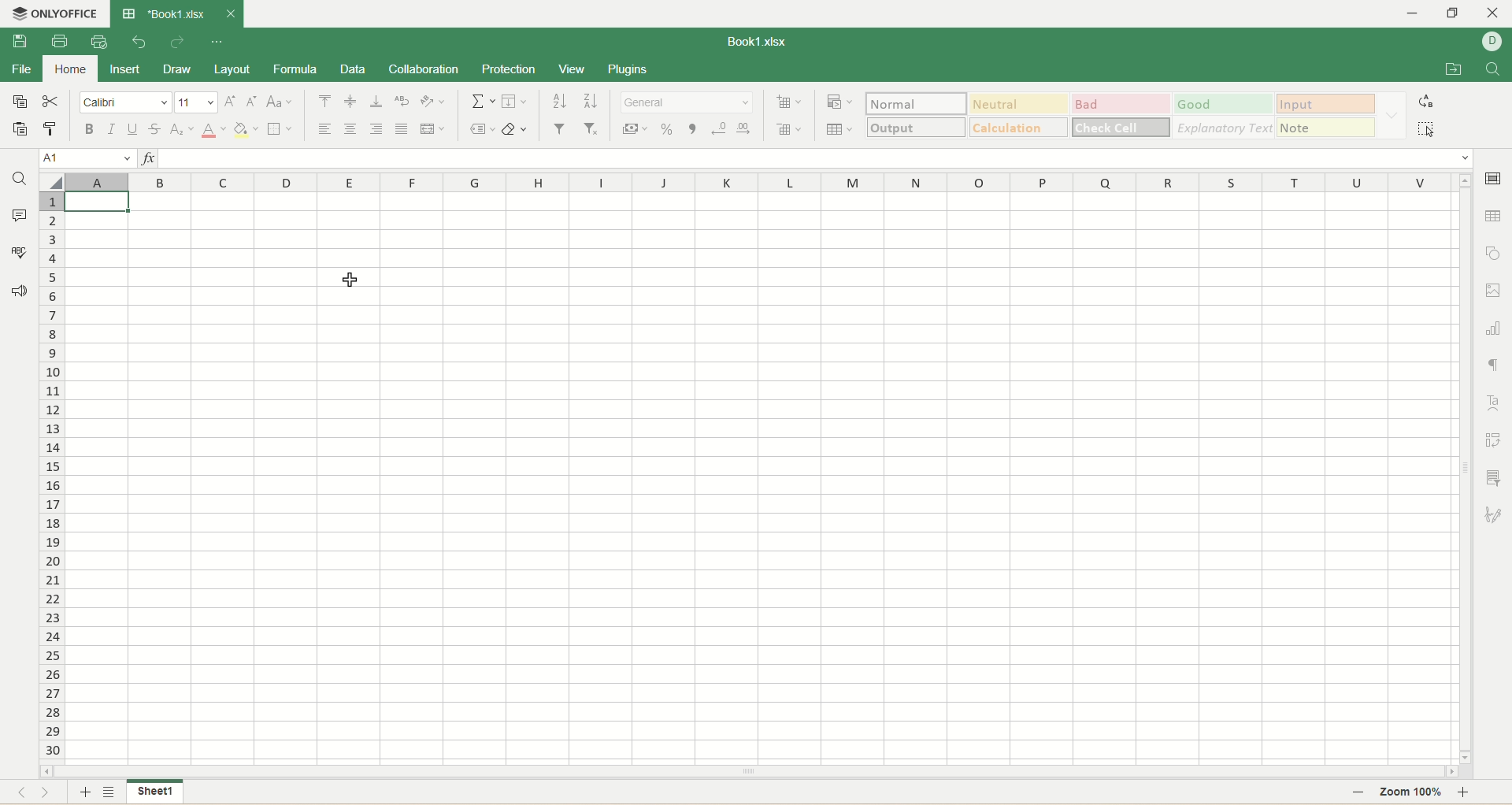 The image size is (1512, 805). What do you see at coordinates (402, 101) in the screenshot?
I see `wrap text` at bounding box center [402, 101].